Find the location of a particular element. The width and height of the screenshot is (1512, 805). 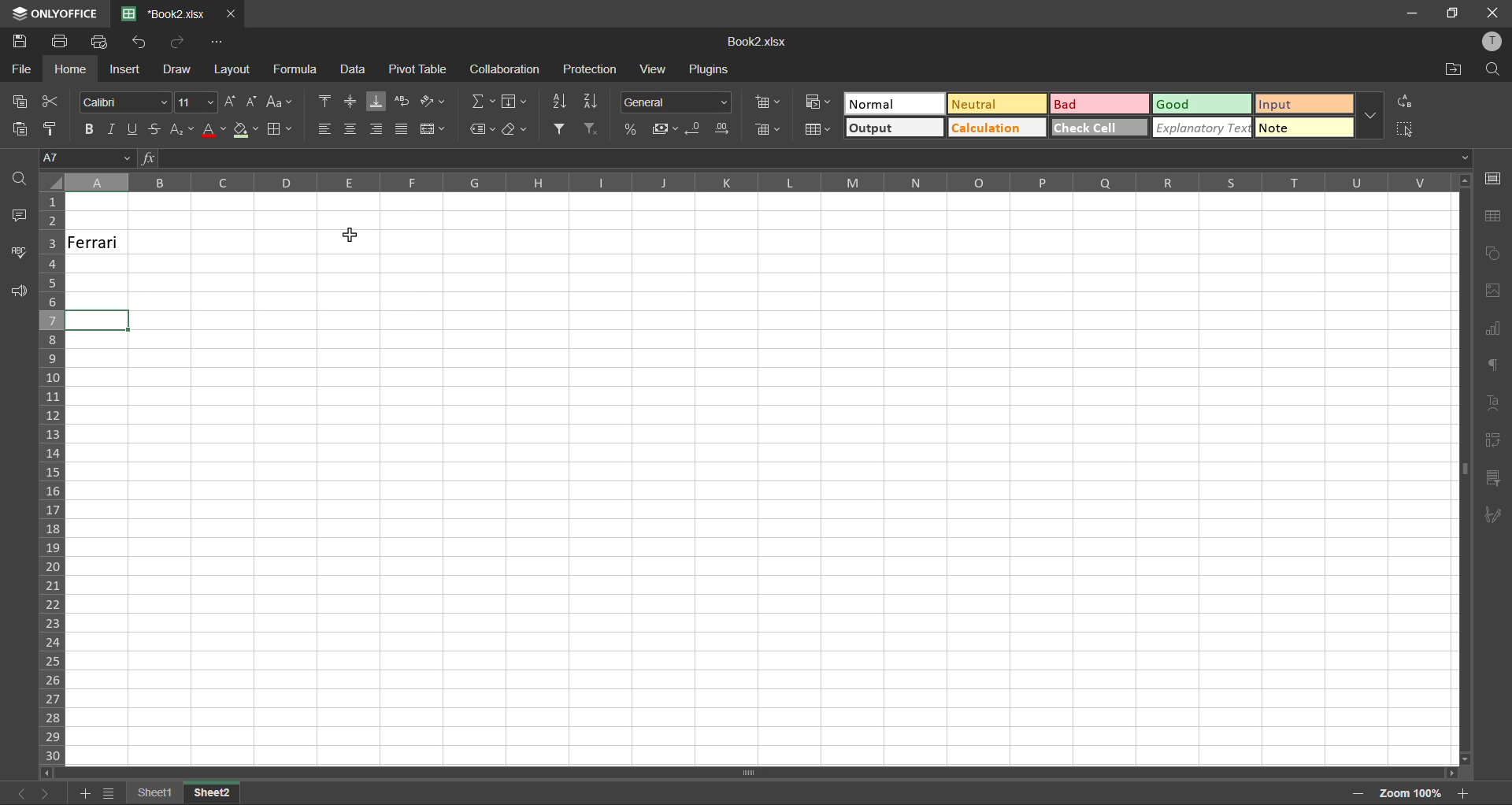

align left is located at coordinates (323, 127).